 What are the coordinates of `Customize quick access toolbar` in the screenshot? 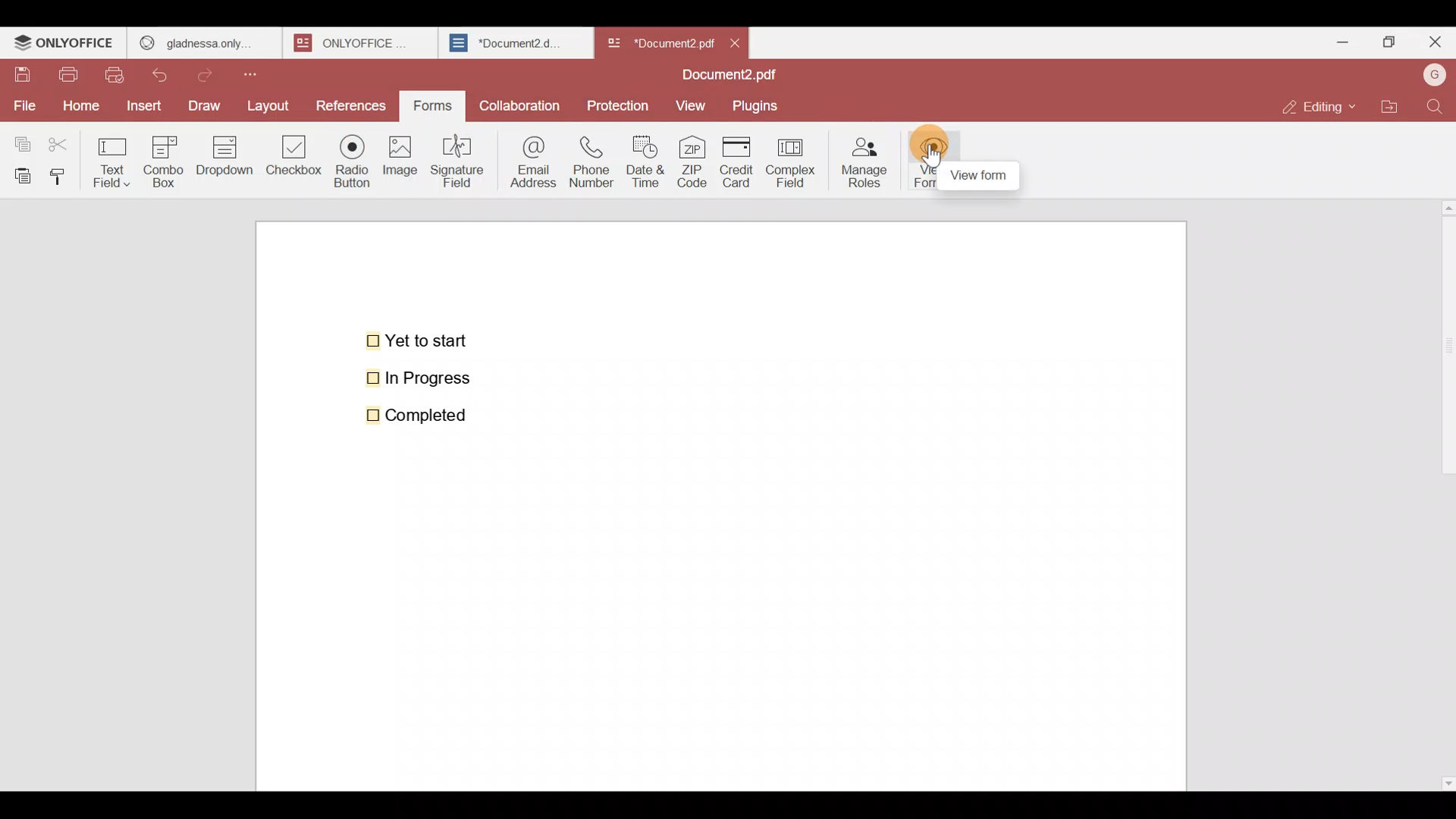 It's located at (263, 71).